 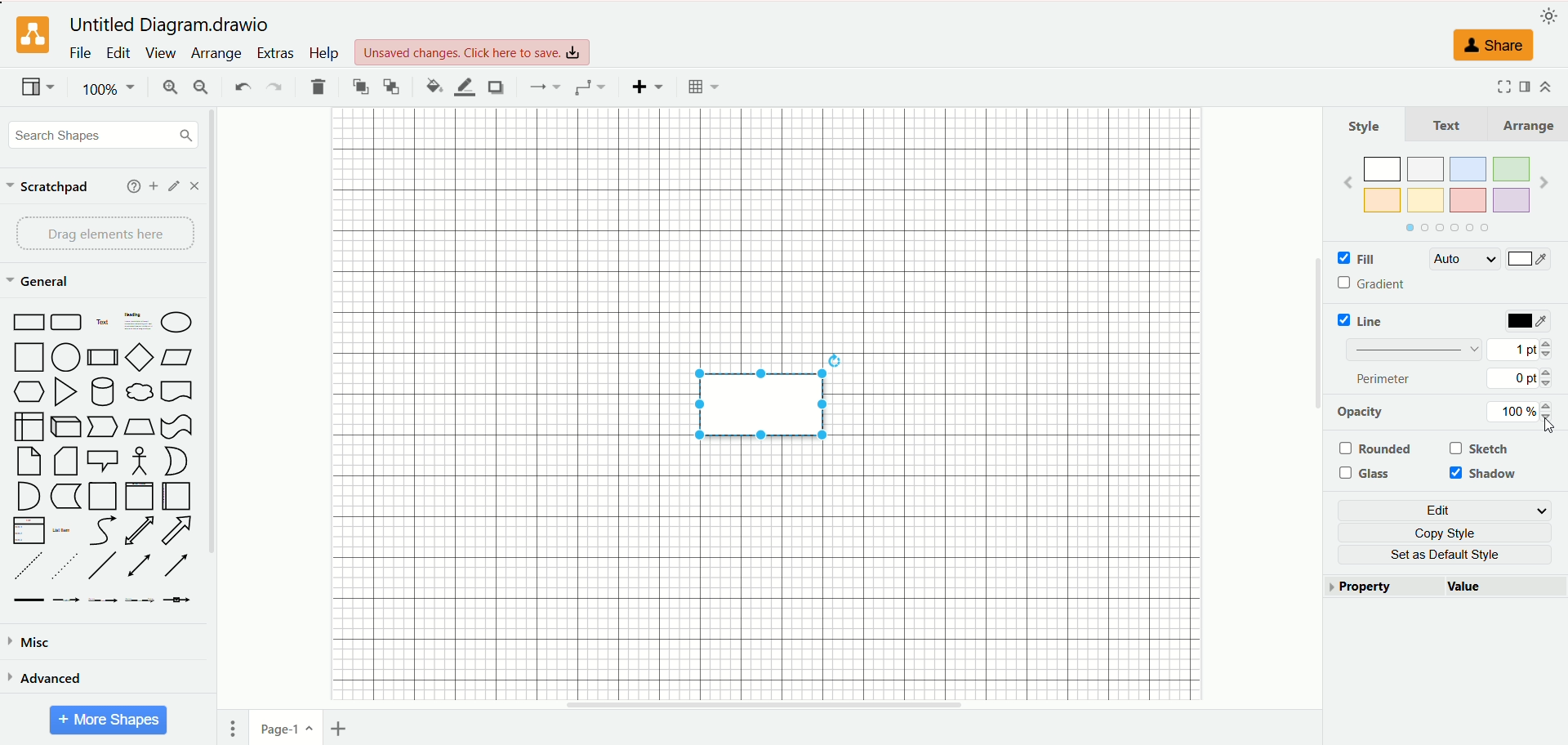 I want to click on sketch, so click(x=1481, y=448).